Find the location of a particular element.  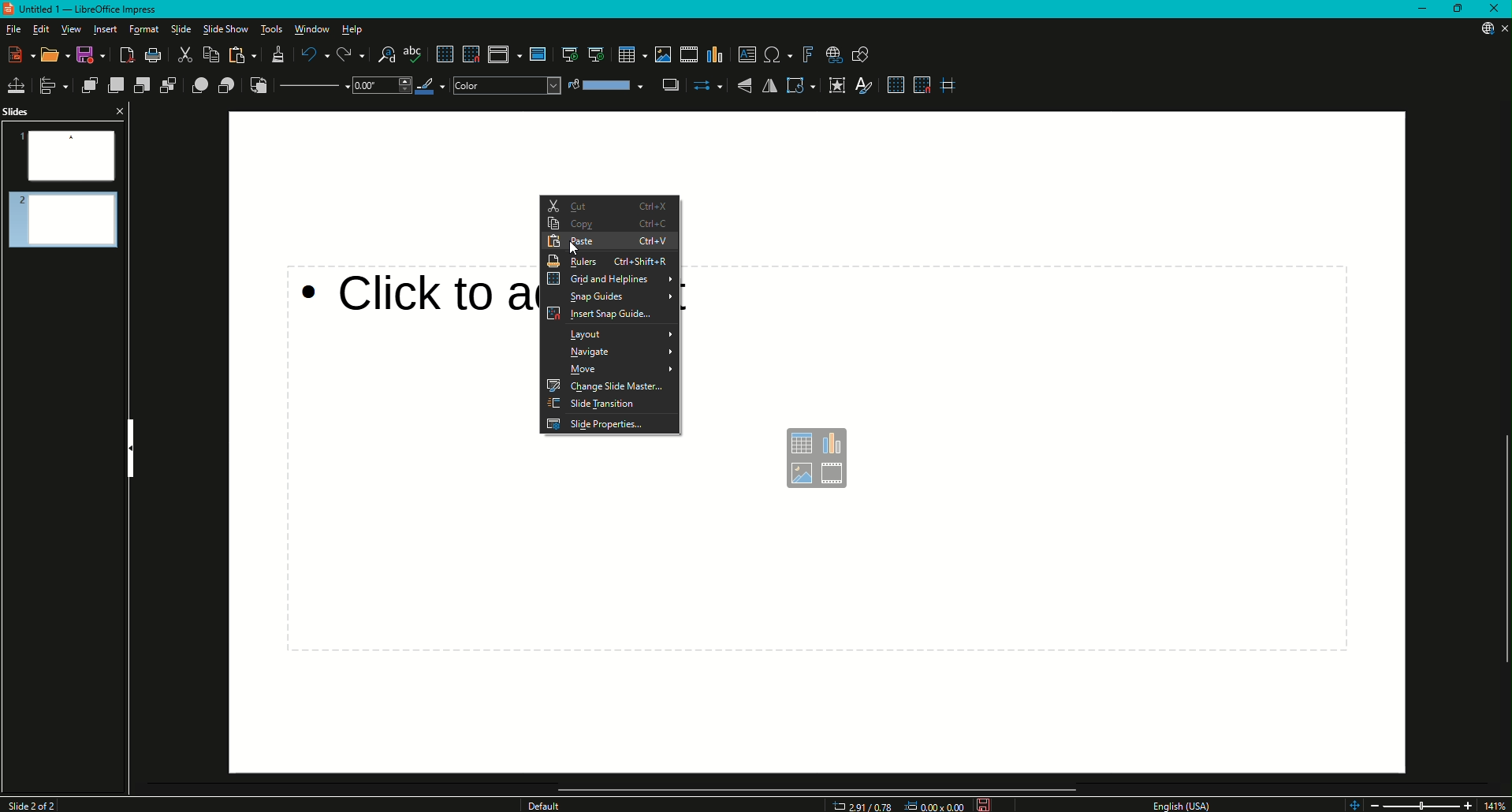

Start from first slide is located at coordinates (566, 53).